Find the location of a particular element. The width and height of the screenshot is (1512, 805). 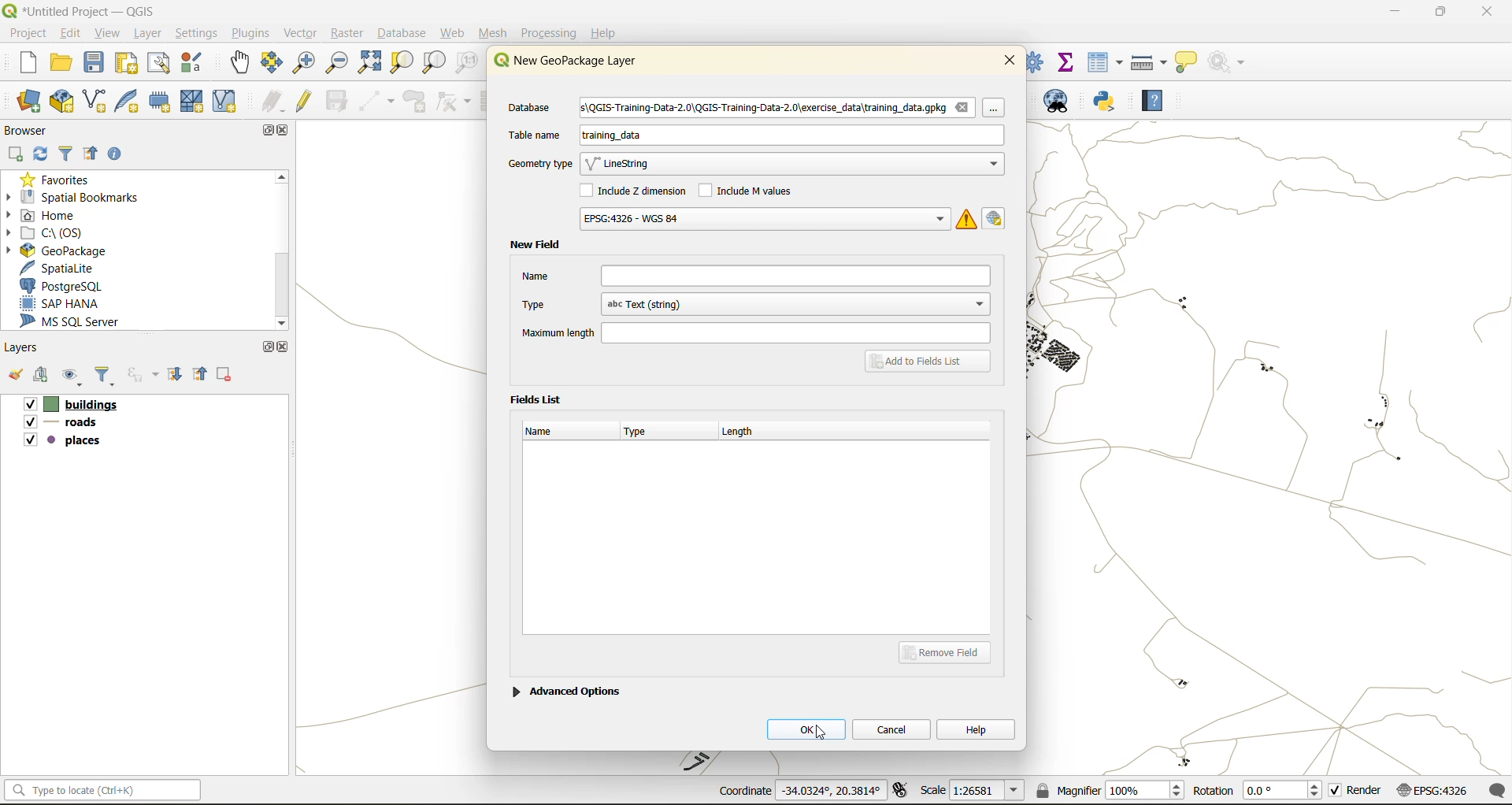

maximize is located at coordinates (1440, 14).